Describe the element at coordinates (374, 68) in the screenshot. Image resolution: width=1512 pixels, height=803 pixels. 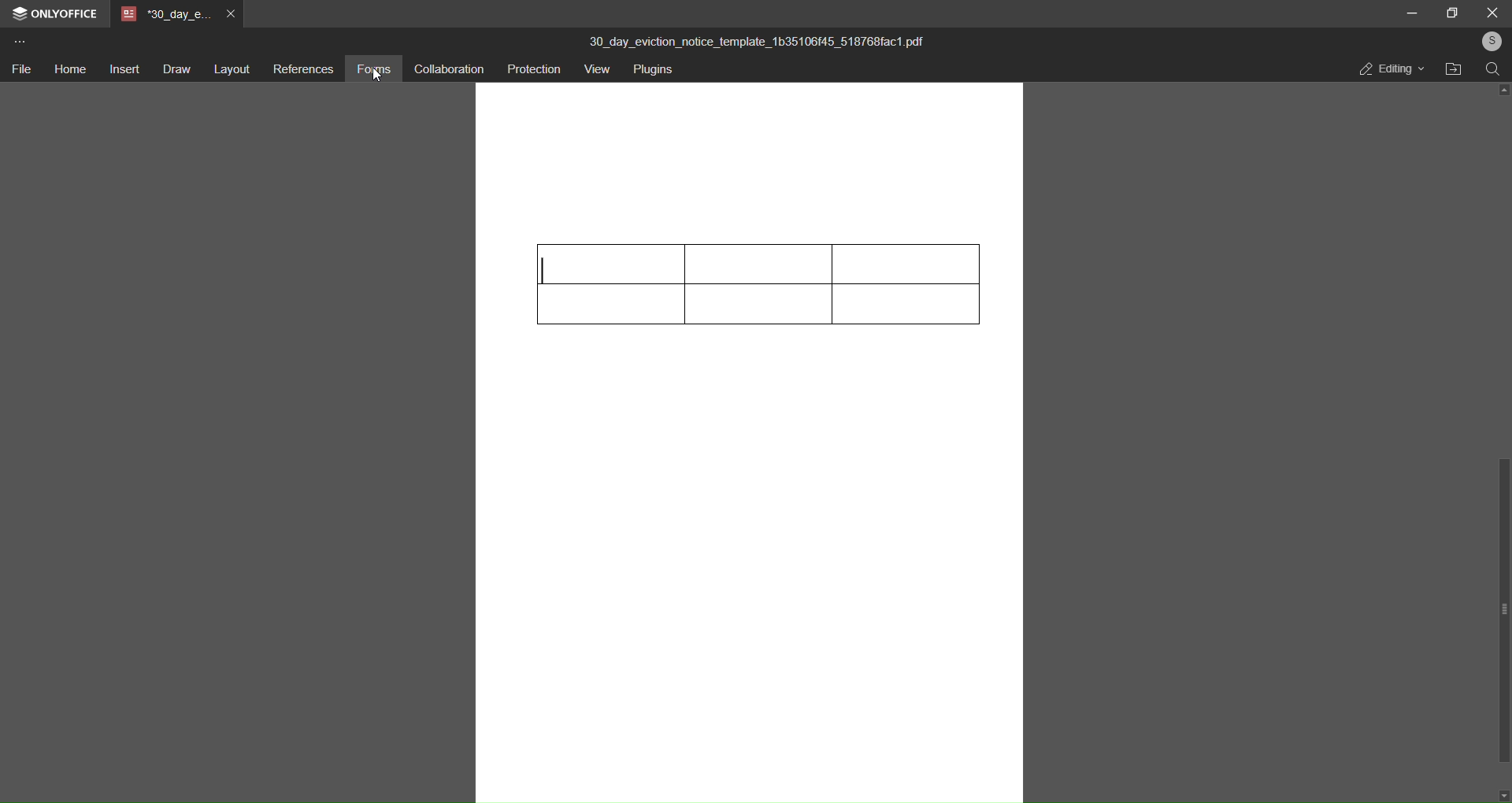
I see `forms` at that location.